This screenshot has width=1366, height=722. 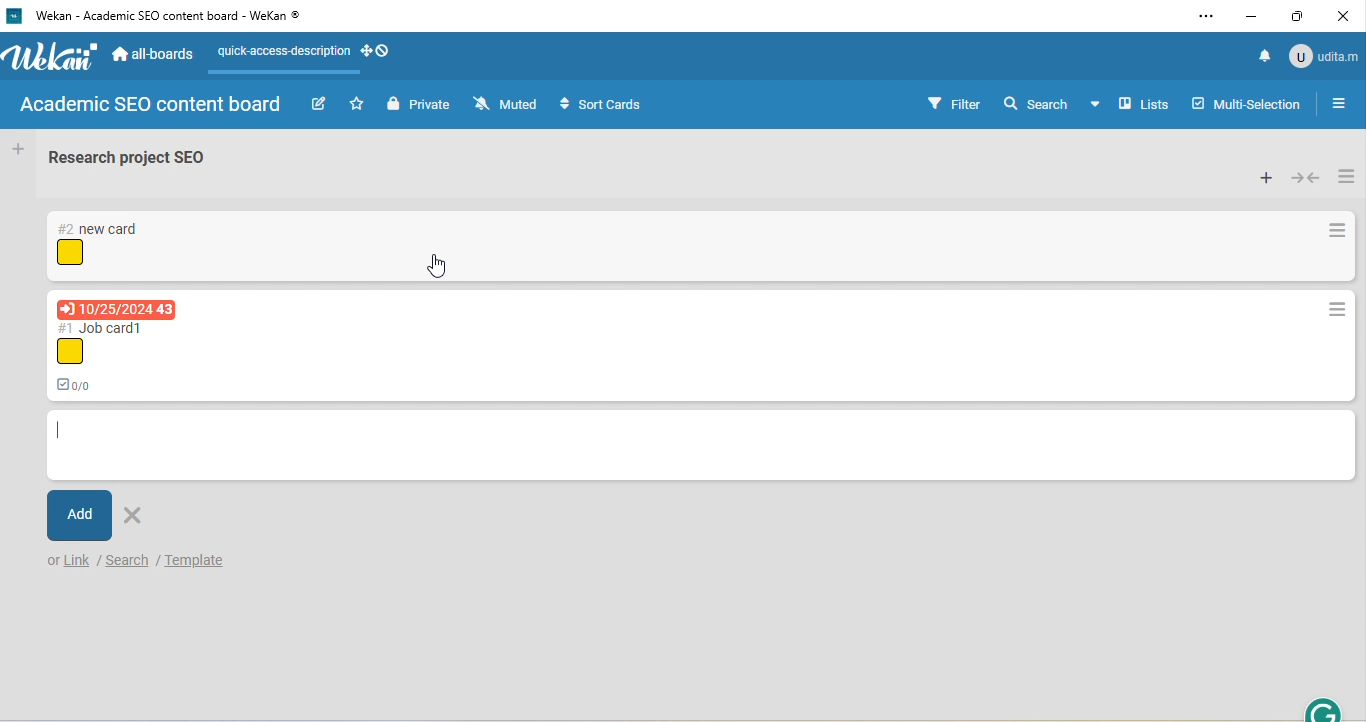 I want to click on wekan, so click(x=53, y=58).